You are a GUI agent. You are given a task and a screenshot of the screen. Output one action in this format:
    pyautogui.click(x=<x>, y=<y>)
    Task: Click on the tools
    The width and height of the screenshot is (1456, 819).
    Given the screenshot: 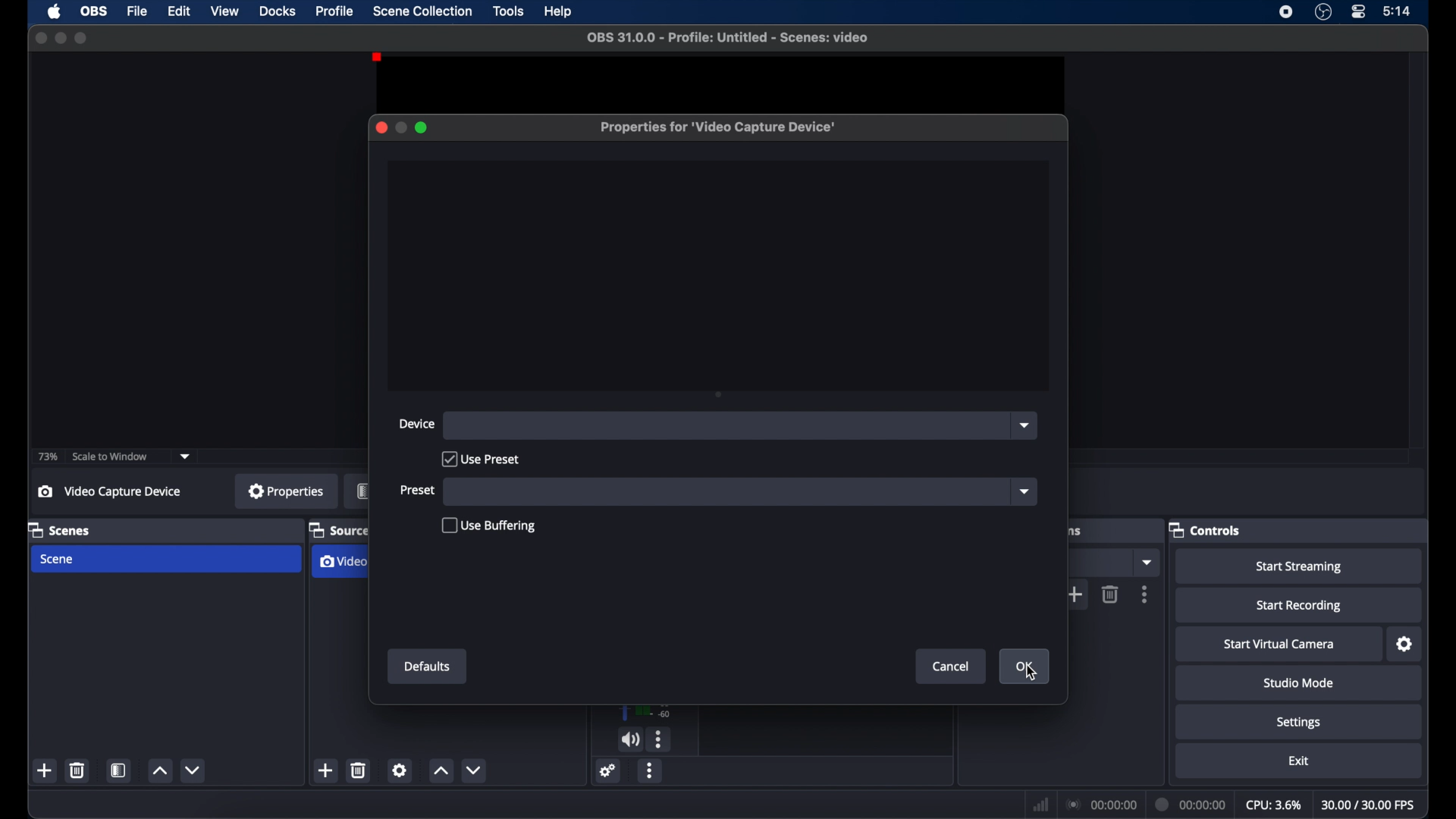 What is the action you would take?
    pyautogui.click(x=508, y=10)
    